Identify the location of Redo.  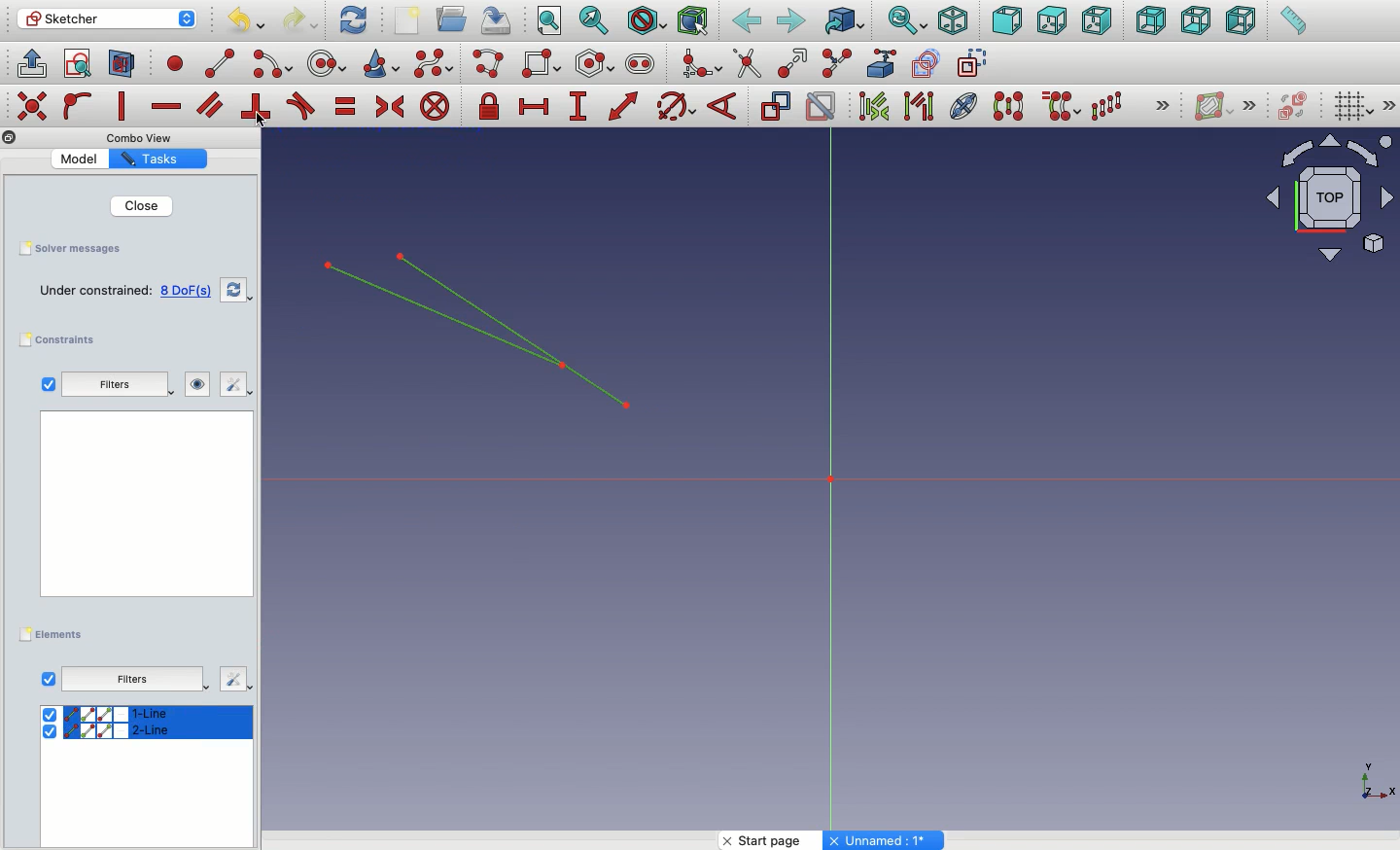
(301, 20).